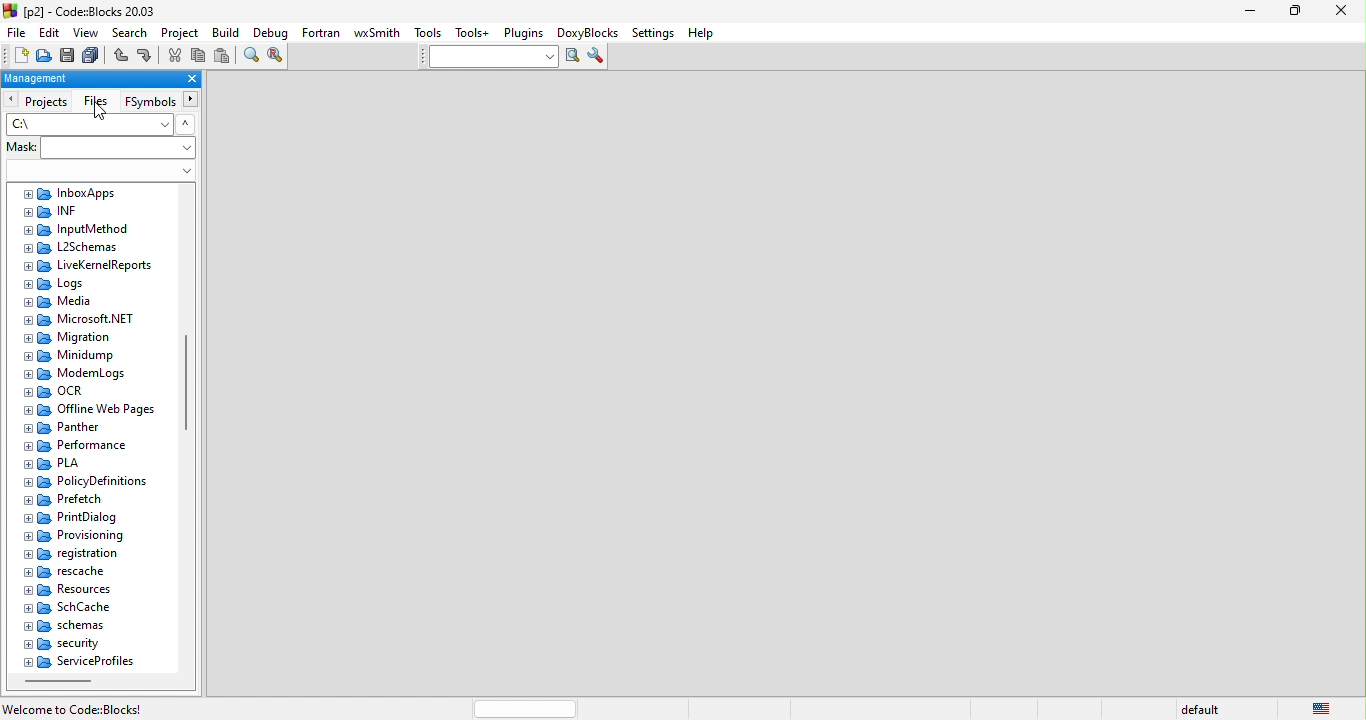 The image size is (1366, 720). Describe the element at coordinates (67, 426) in the screenshot. I see `panther` at that location.